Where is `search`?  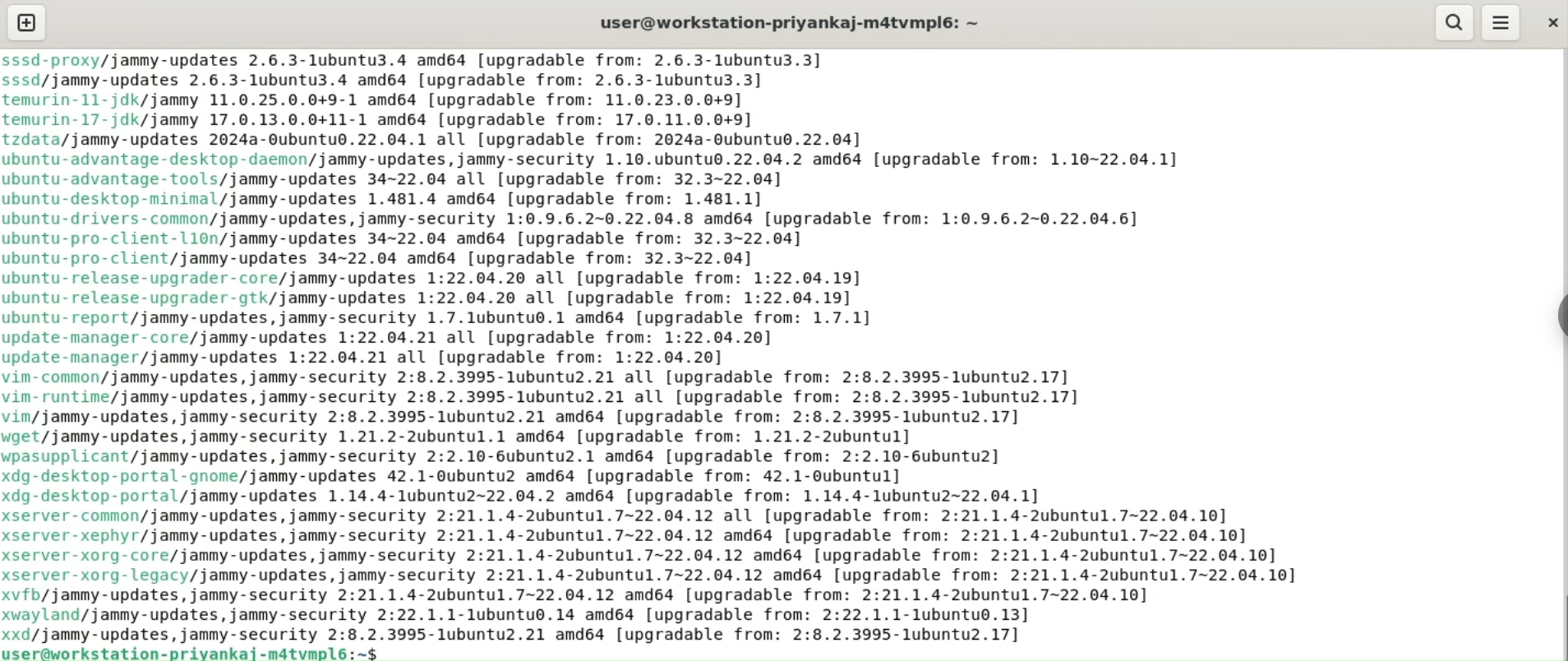 search is located at coordinates (1454, 21).